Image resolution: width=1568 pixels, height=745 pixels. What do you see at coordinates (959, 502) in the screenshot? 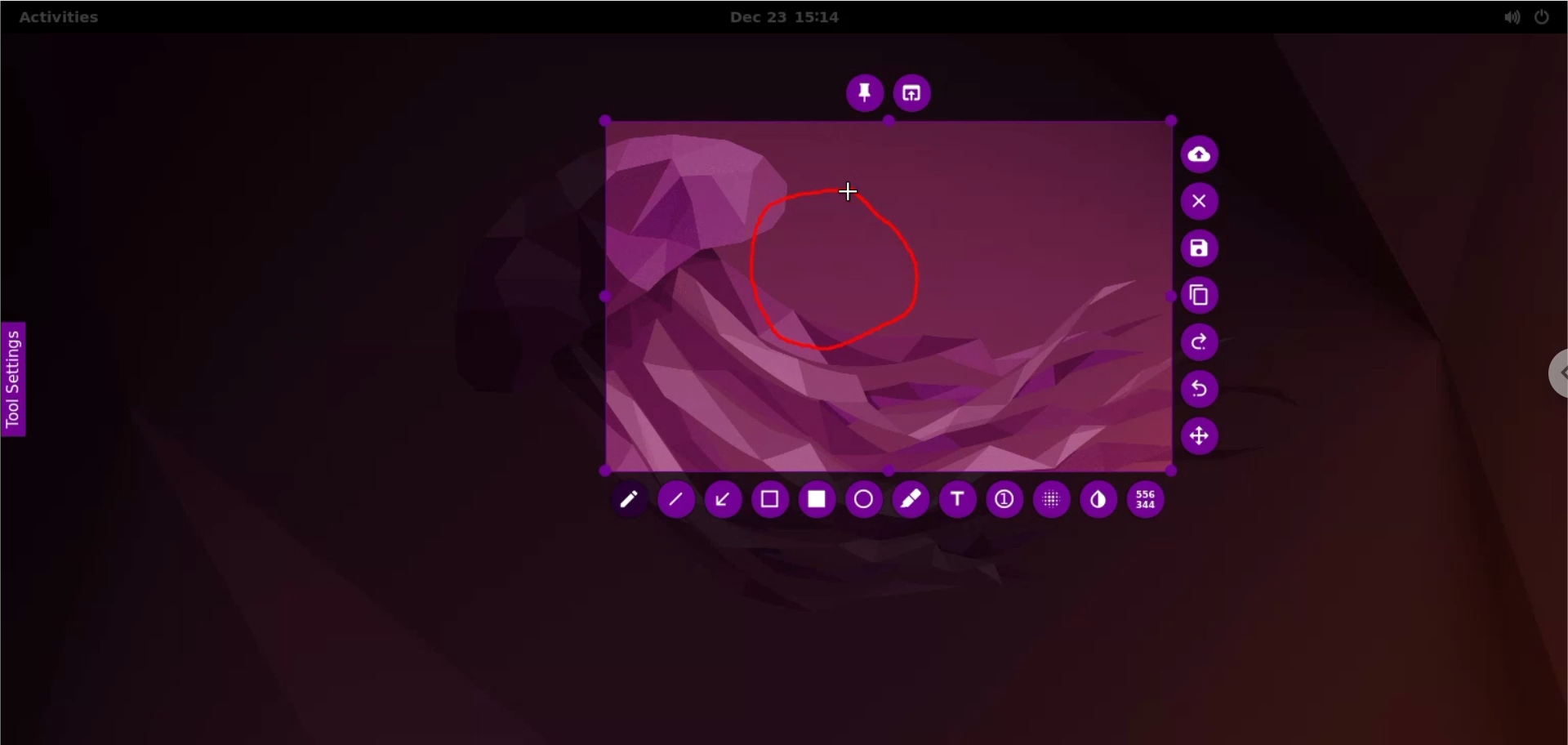
I see `text tool` at bounding box center [959, 502].